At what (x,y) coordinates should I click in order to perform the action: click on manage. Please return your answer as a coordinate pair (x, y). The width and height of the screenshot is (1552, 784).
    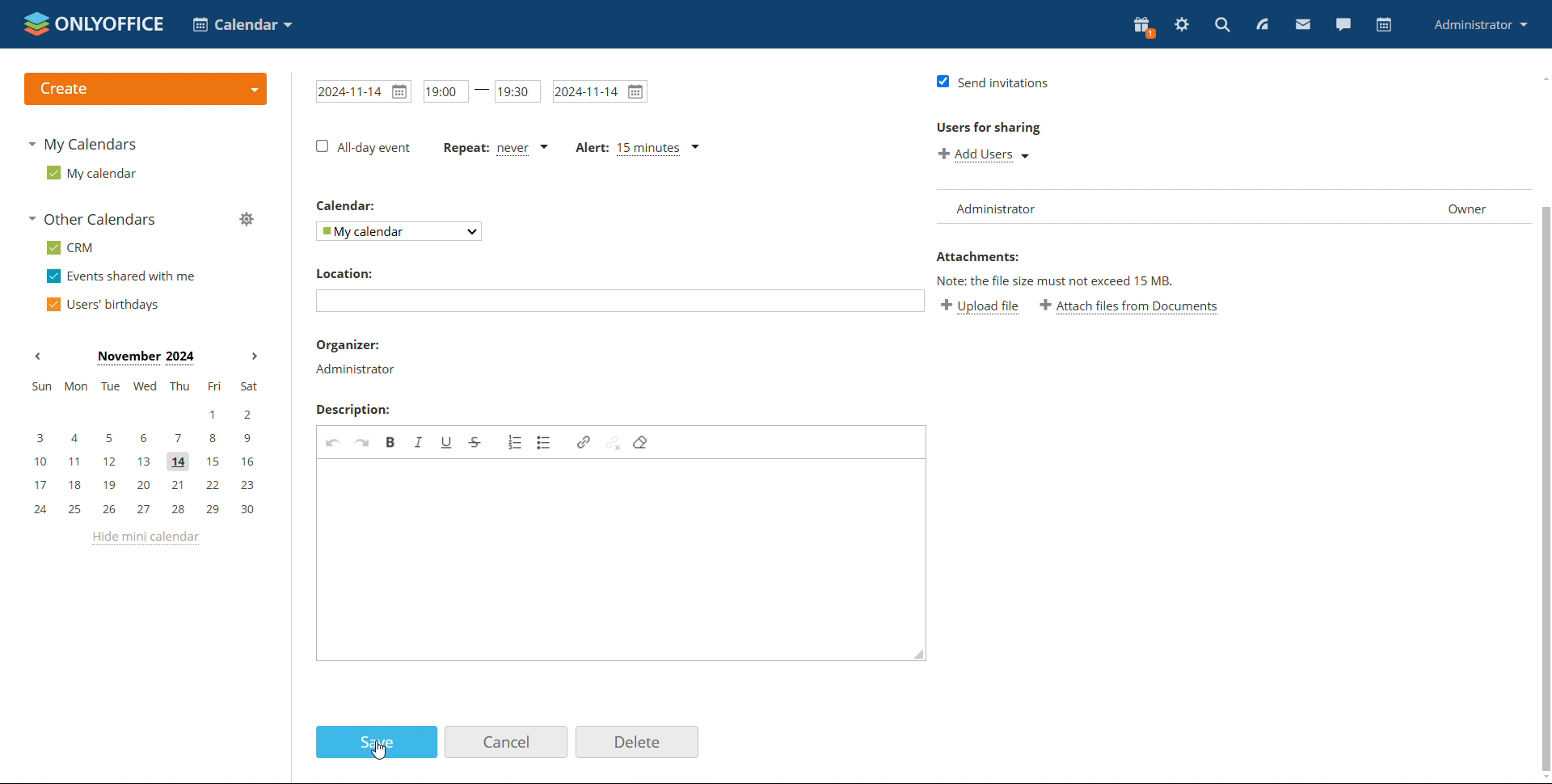
    Looking at the image, I should click on (246, 218).